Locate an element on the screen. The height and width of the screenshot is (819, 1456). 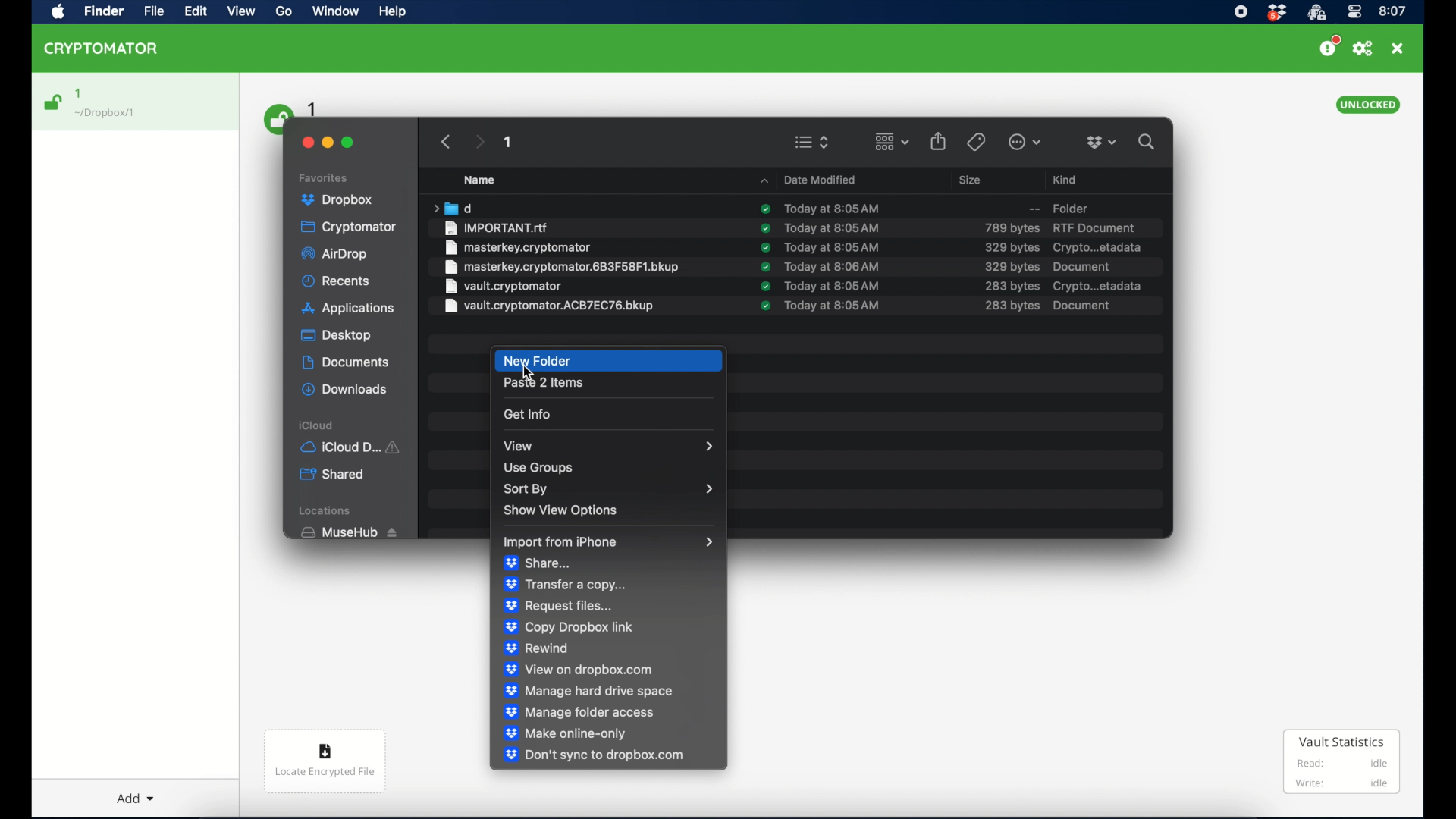
sync is located at coordinates (765, 286).